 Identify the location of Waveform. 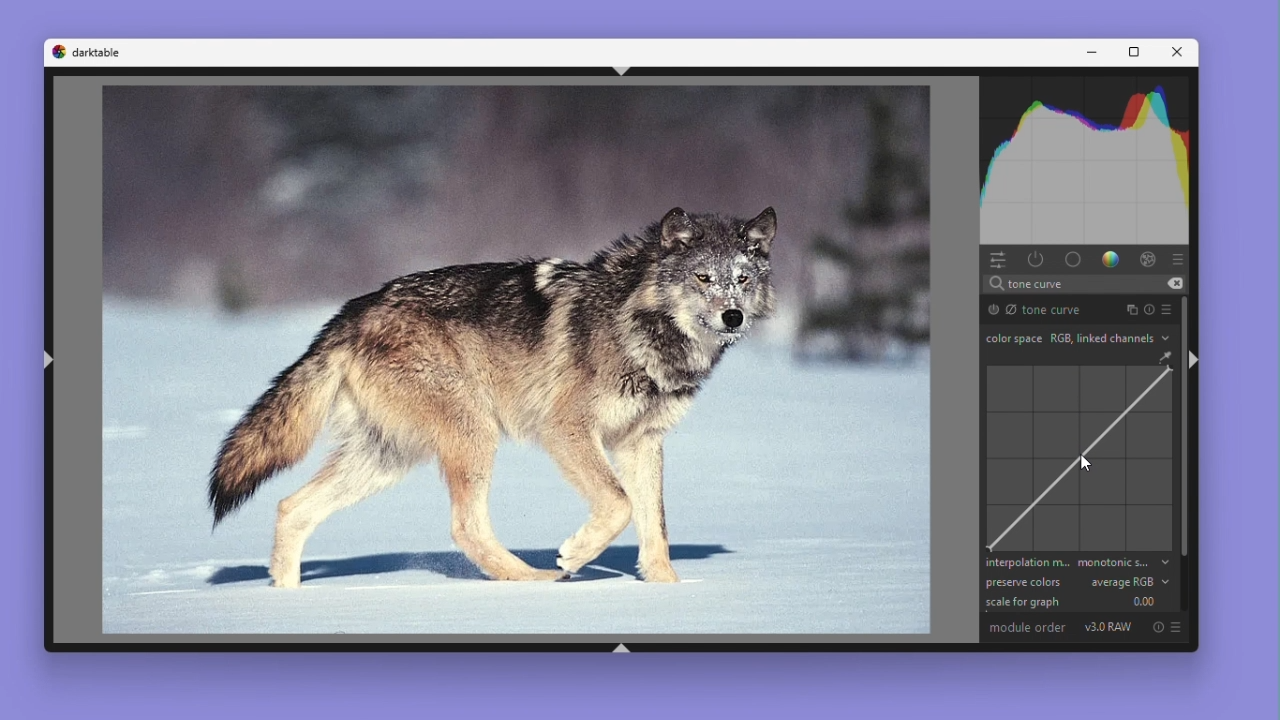
(1086, 163).